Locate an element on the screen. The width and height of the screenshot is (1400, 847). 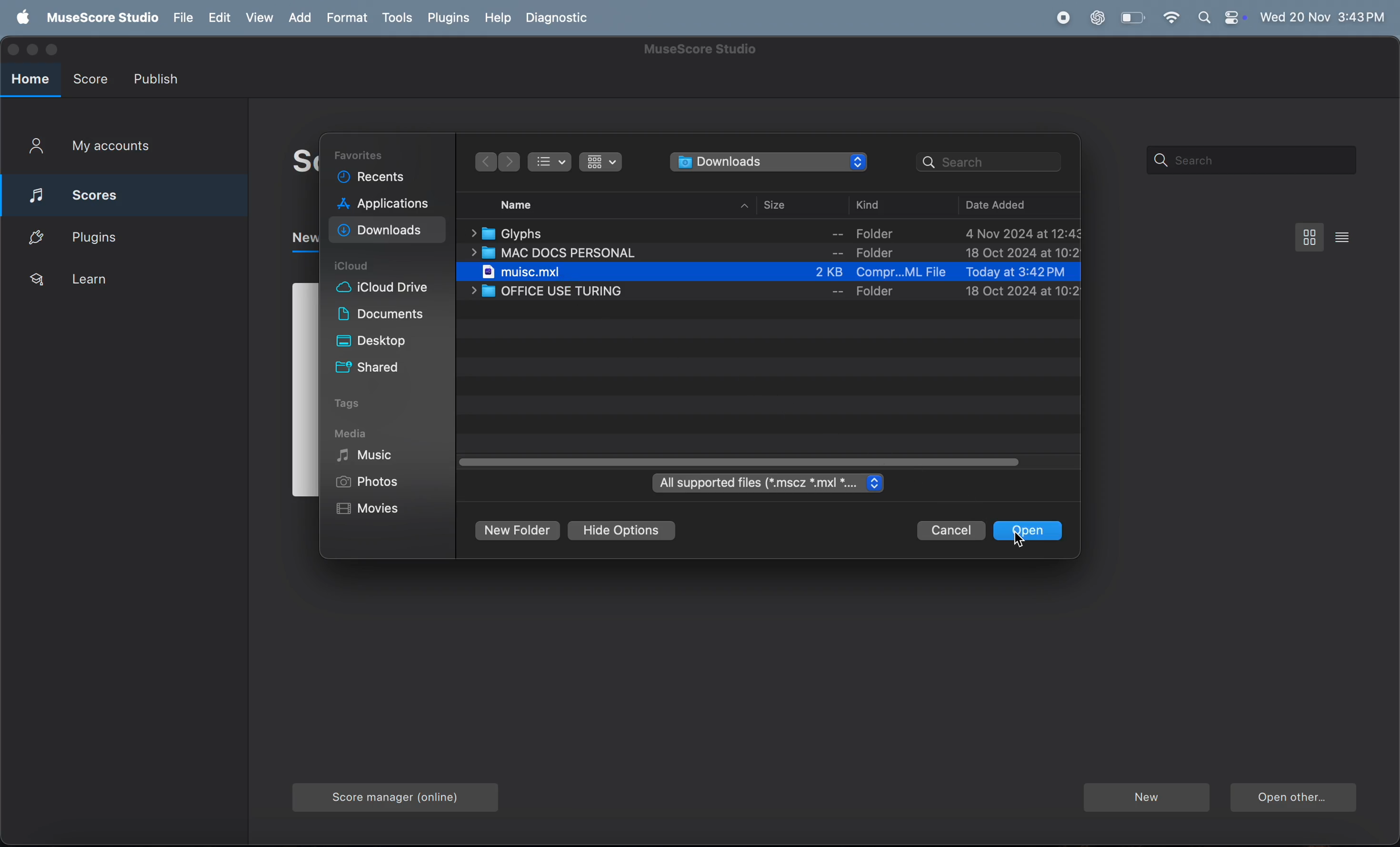
ip is located at coordinates (746, 206).